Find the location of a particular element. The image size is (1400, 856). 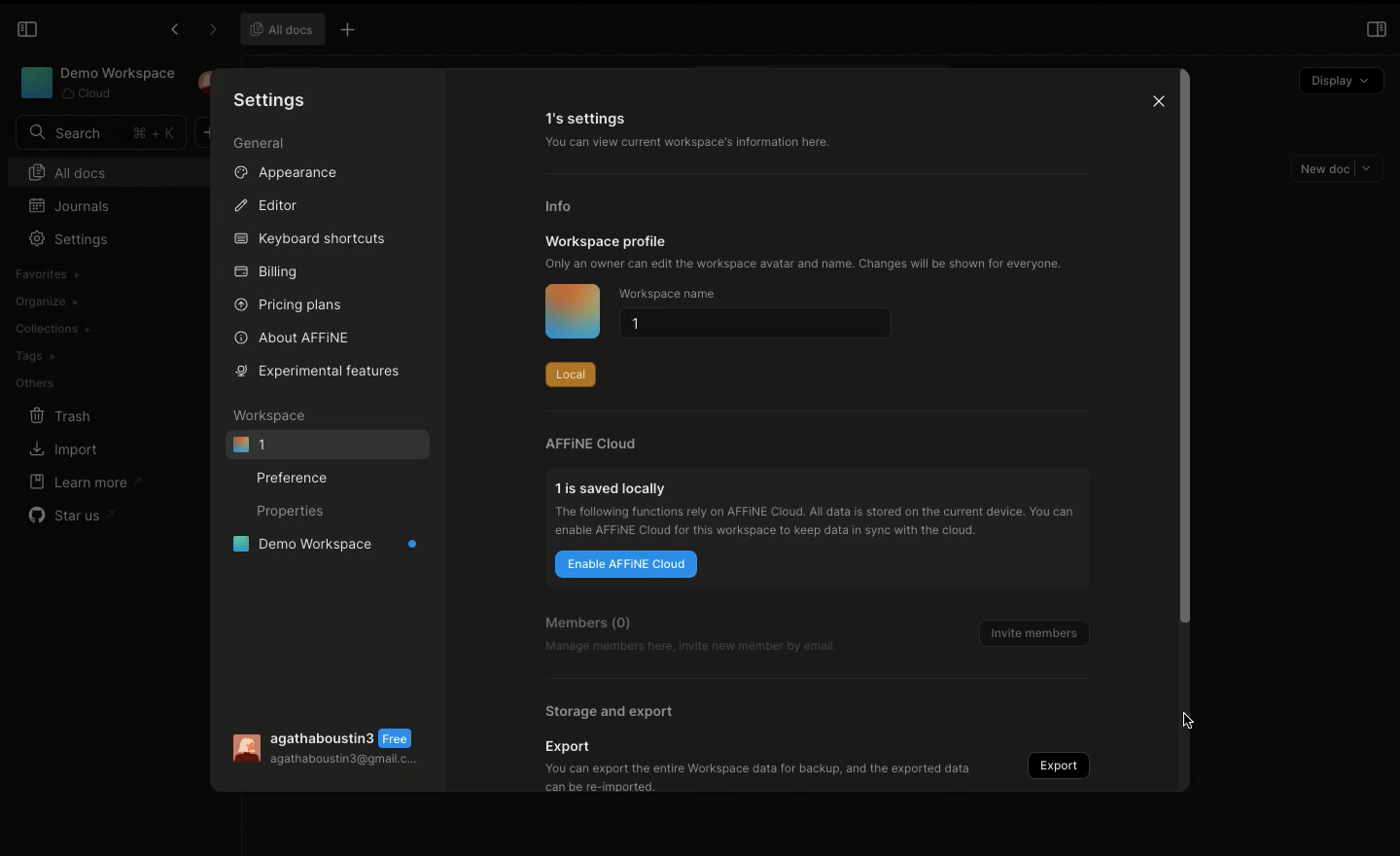

Local is located at coordinates (567, 375).